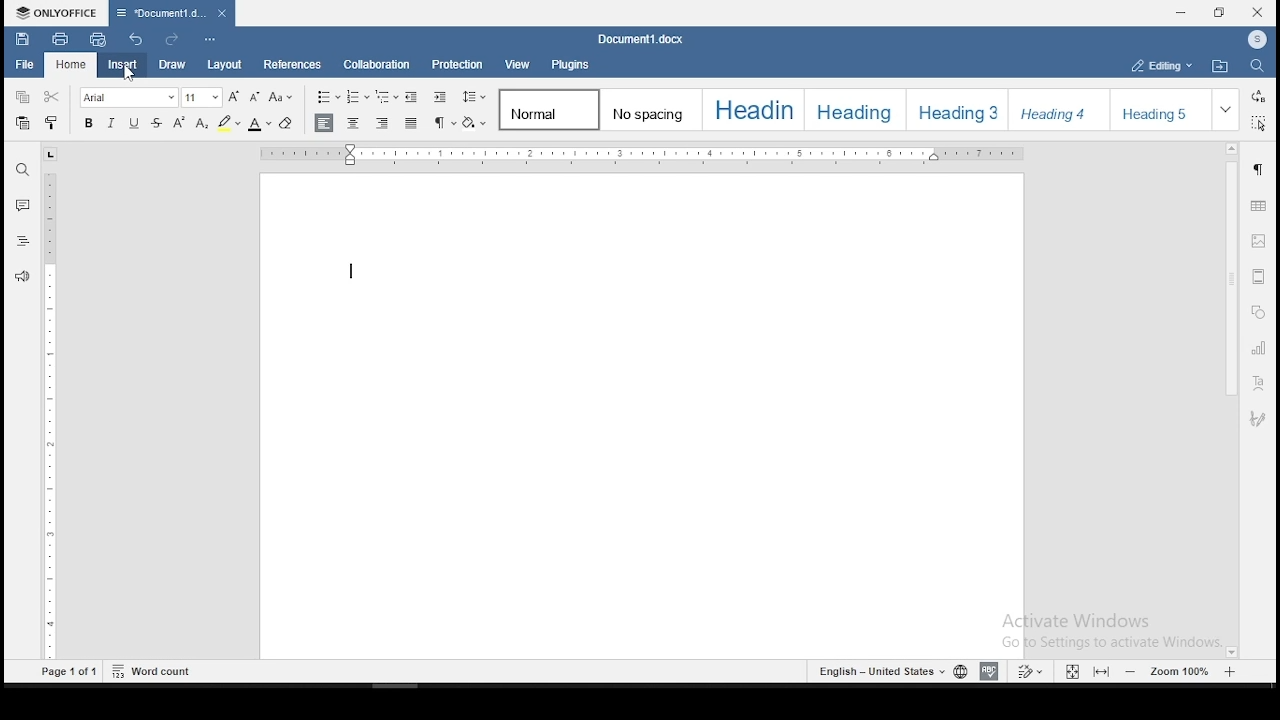 This screenshot has height=720, width=1280. Describe the element at coordinates (1260, 207) in the screenshot. I see `table settings` at that location.